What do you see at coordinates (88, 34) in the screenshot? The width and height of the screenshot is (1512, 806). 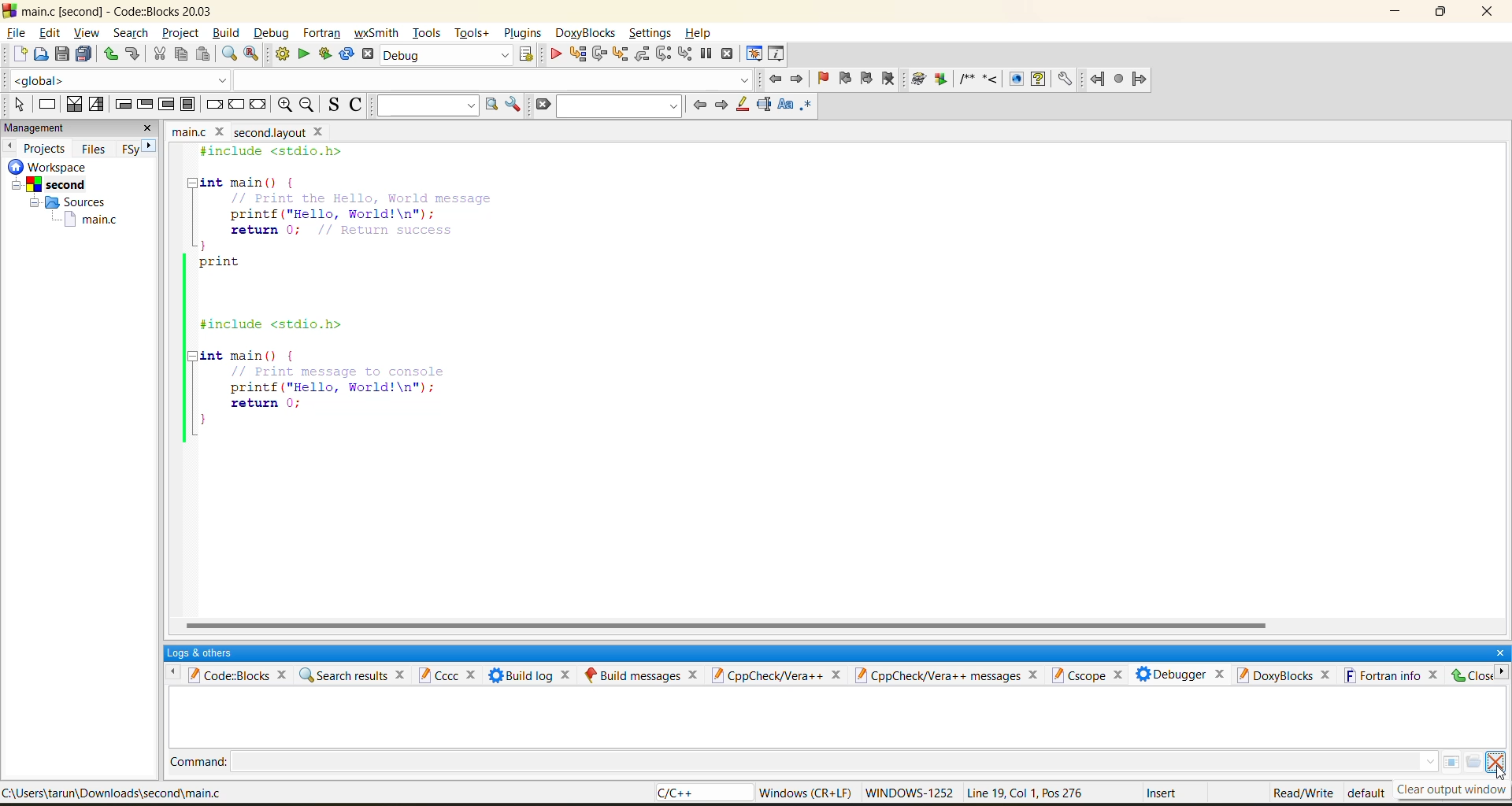 I see `view` at bounding box center [88, 34].